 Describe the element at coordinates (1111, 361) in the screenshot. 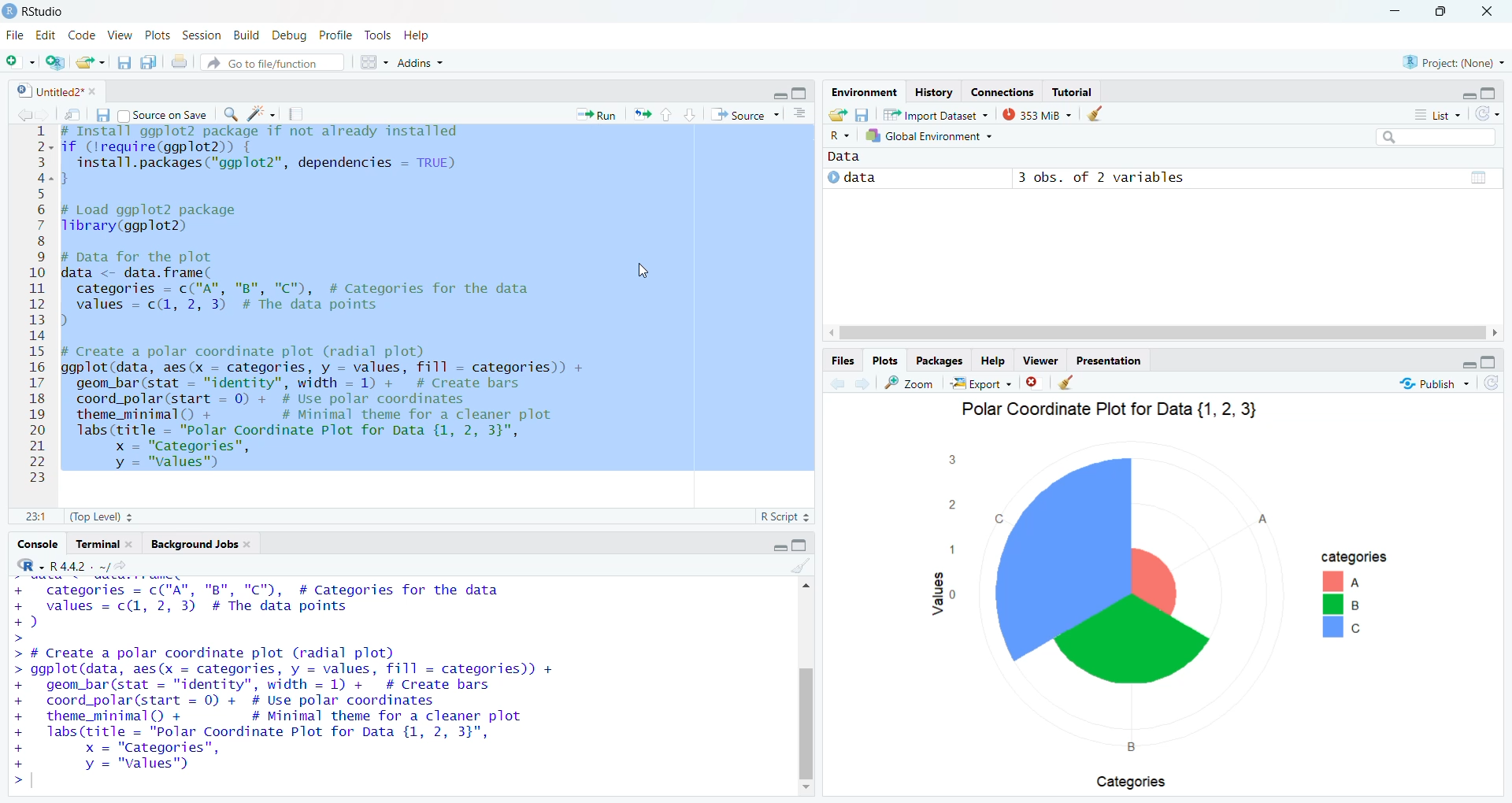

I see `Presentation` at that location.